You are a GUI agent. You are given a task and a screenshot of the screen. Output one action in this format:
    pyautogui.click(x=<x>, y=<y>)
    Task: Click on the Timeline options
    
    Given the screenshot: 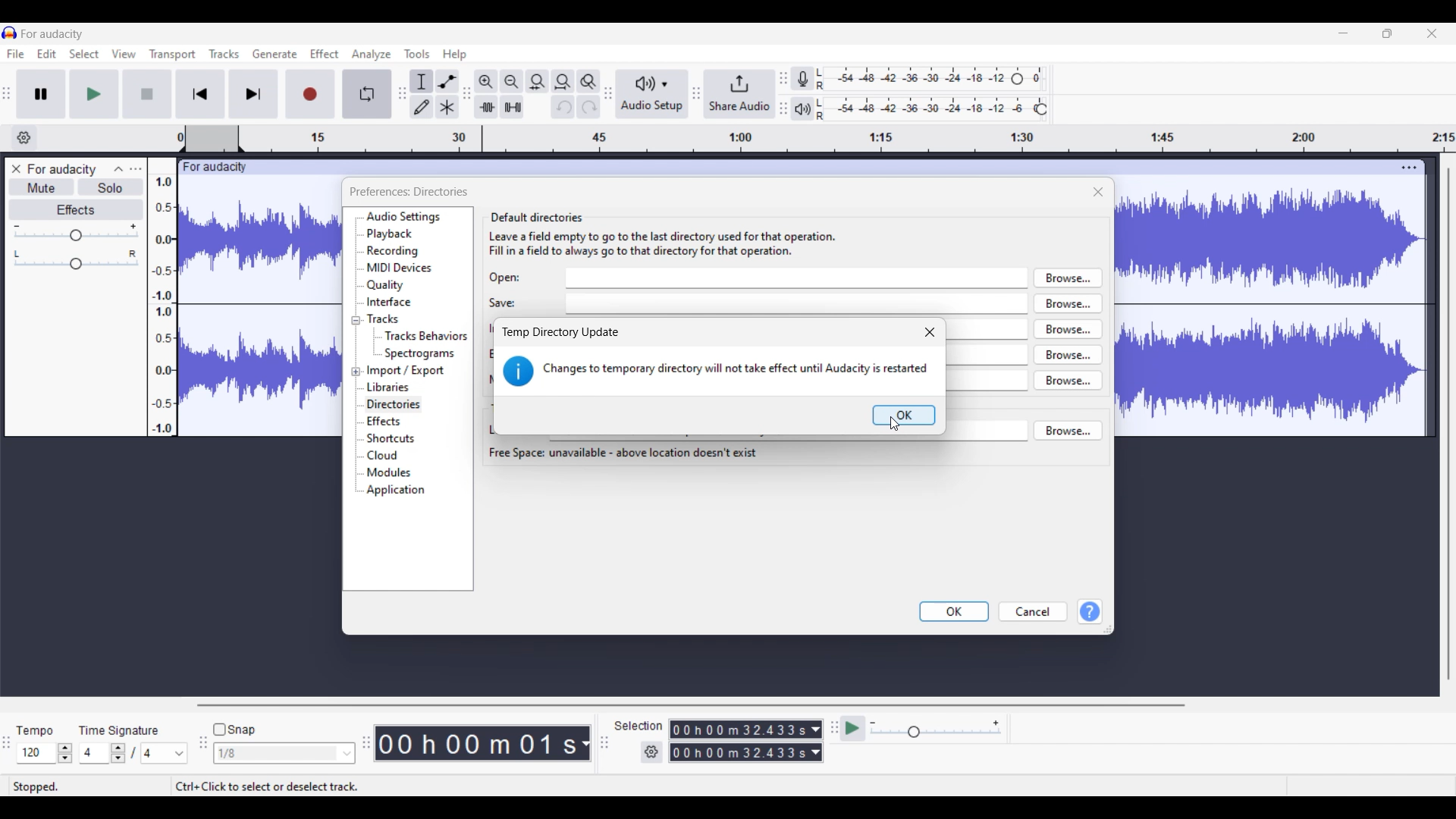 What is the action you would take?
    pyautogui.click(x=24, y=138)
    